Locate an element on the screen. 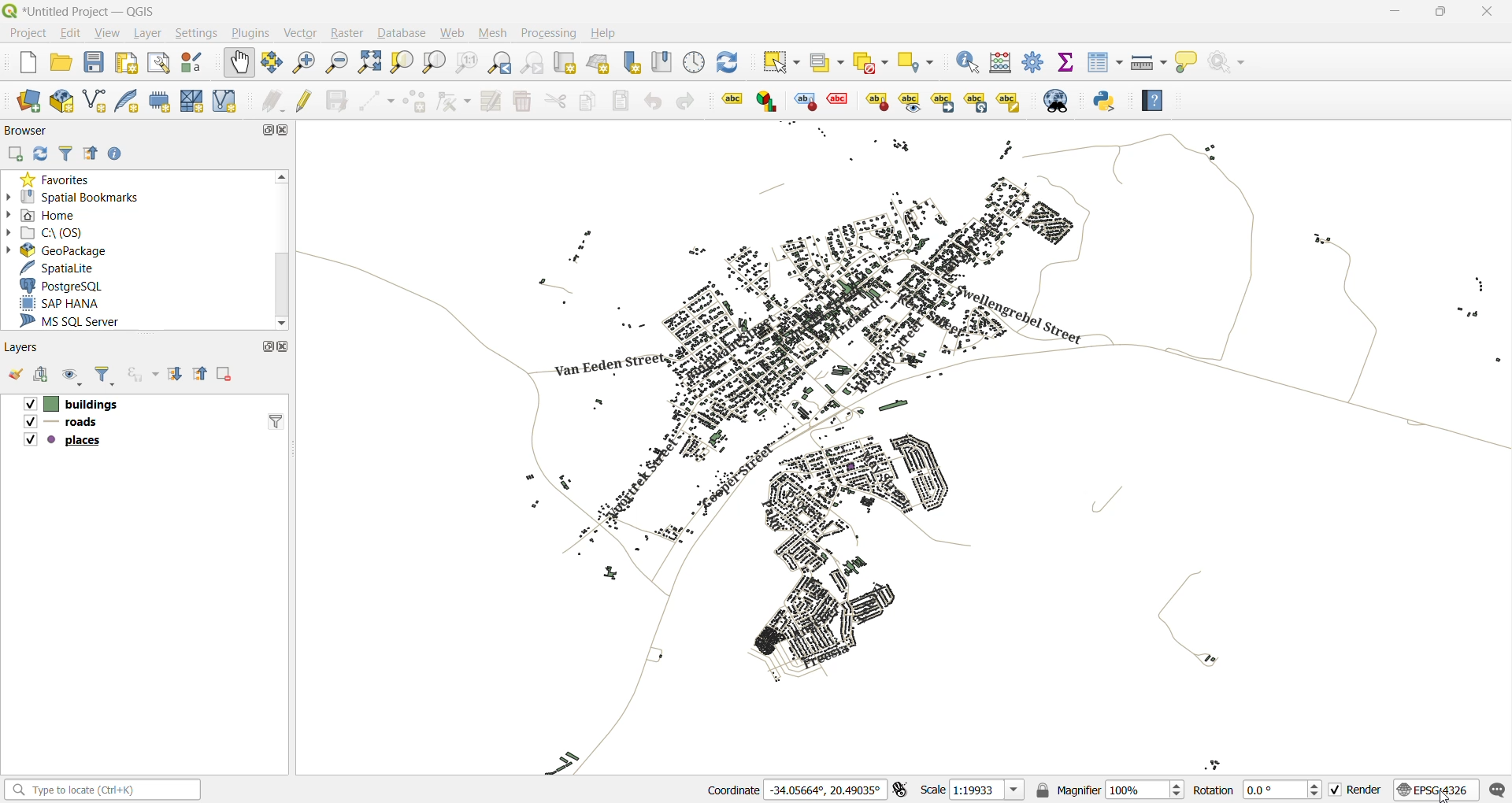 Image resolution: width=1512 pixels, height=803 pixels. python is located at coordinates (1110, 103).